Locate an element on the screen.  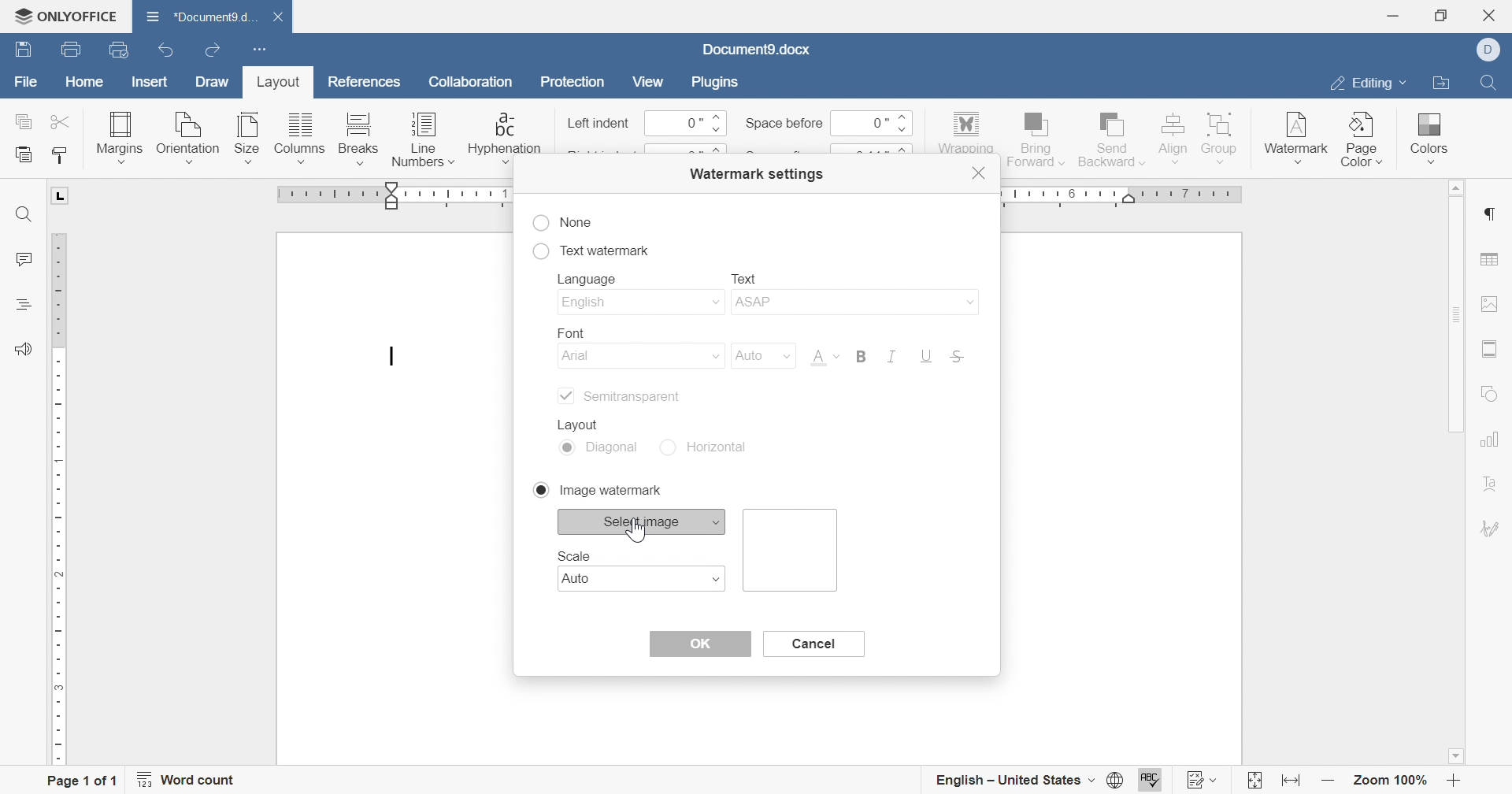
font is located at coordinates (565, 330).